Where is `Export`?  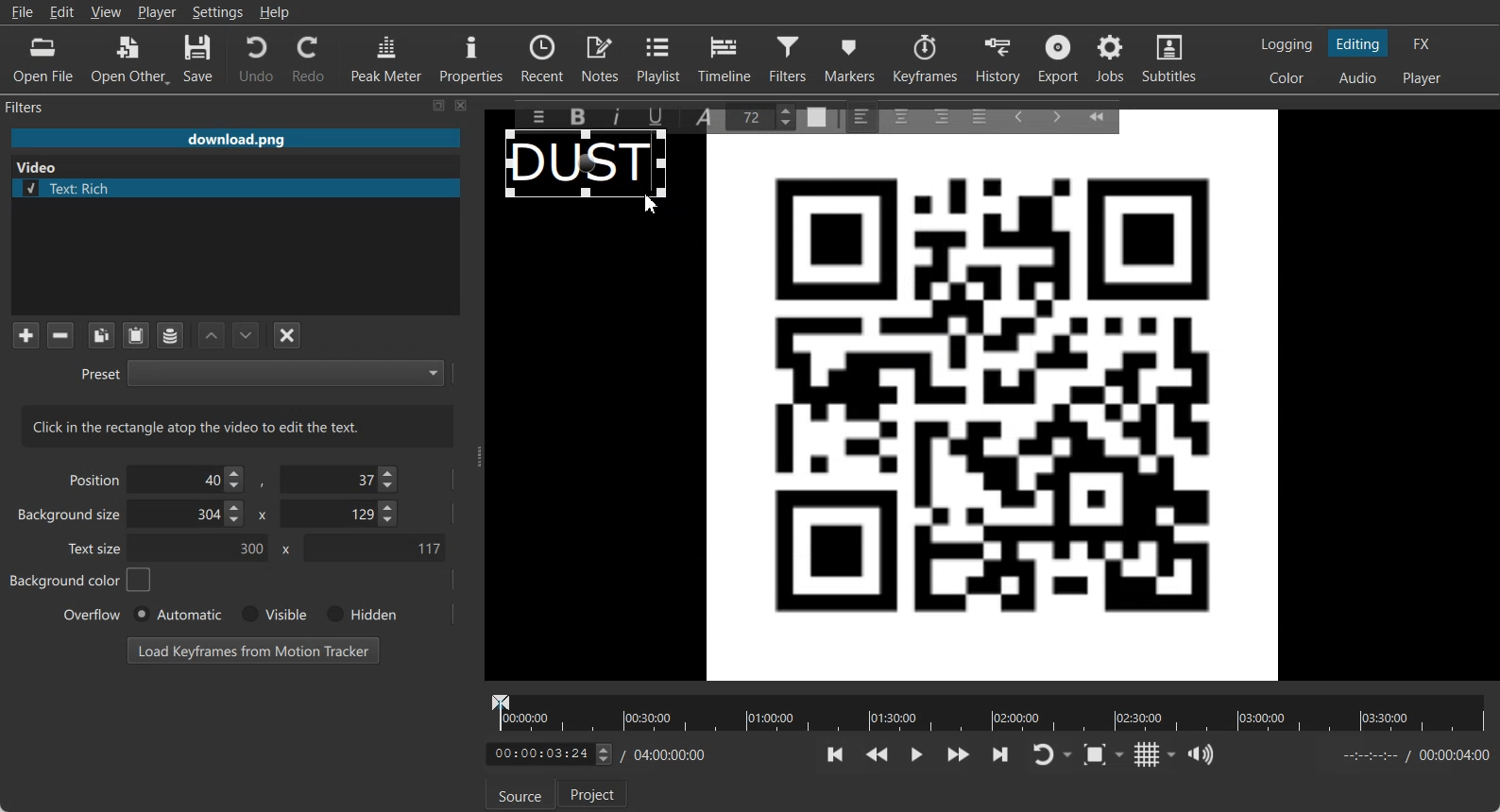
Export is located at coordinates (1061, 59).